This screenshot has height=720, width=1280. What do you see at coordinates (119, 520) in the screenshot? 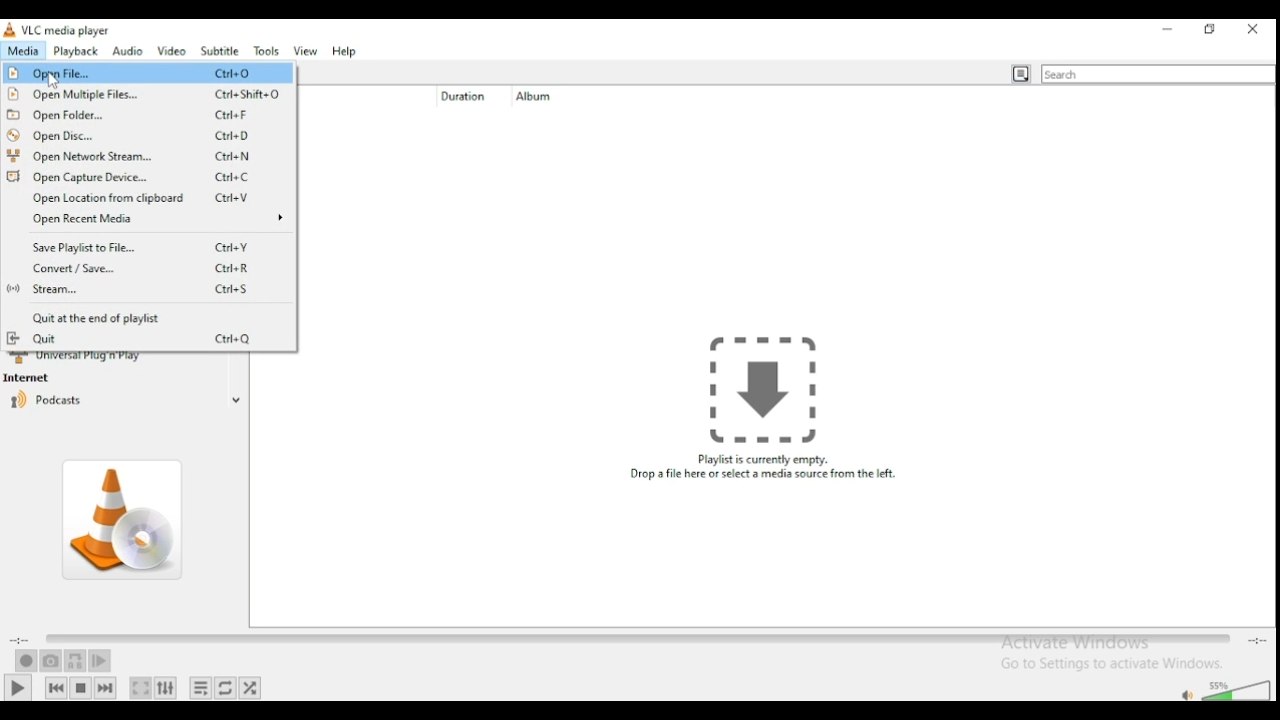
I see `album art` at bounding box center [119, 520].